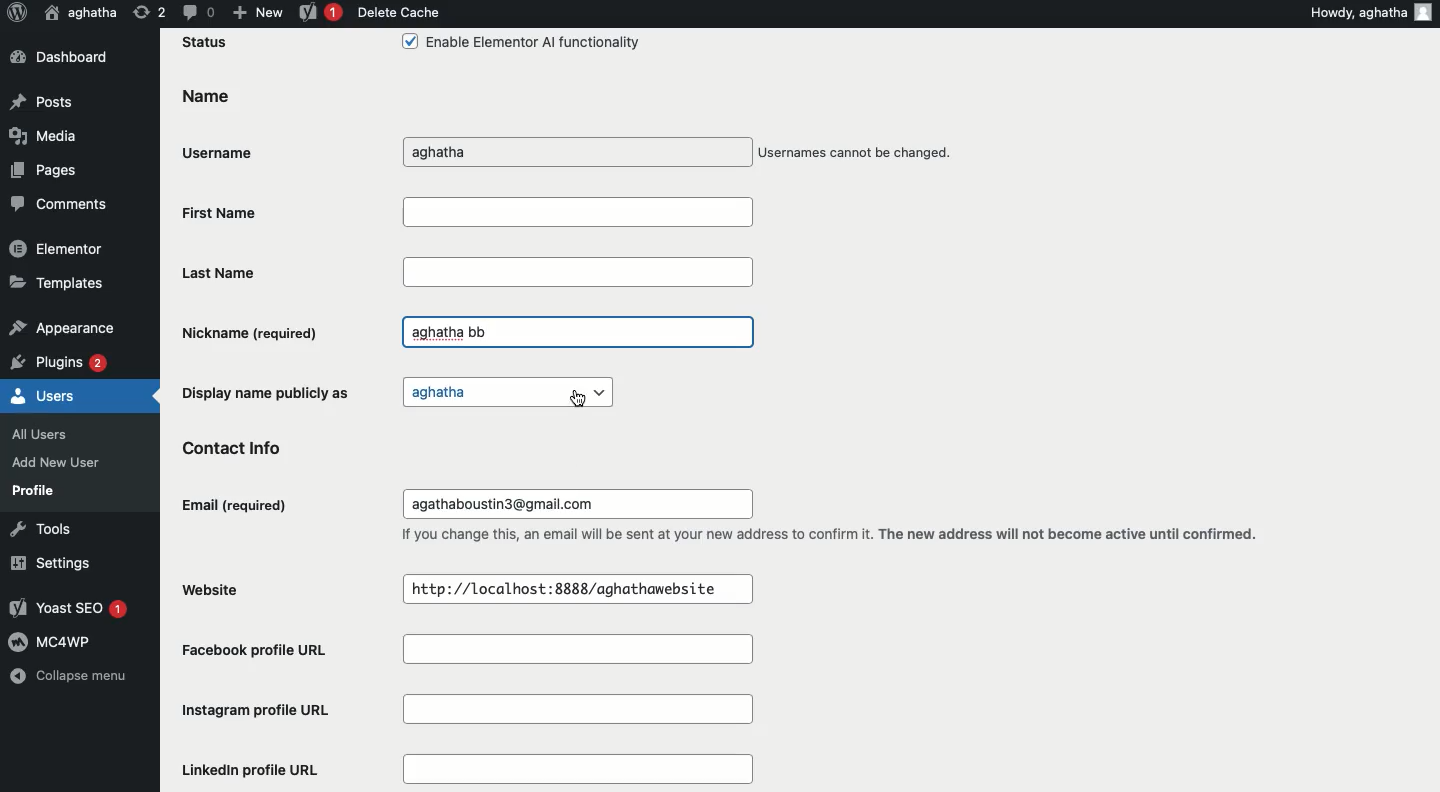  What do you see at coordinates (44, 394) in the screenshot?
I see `Users` at bounding box center [44, 394].